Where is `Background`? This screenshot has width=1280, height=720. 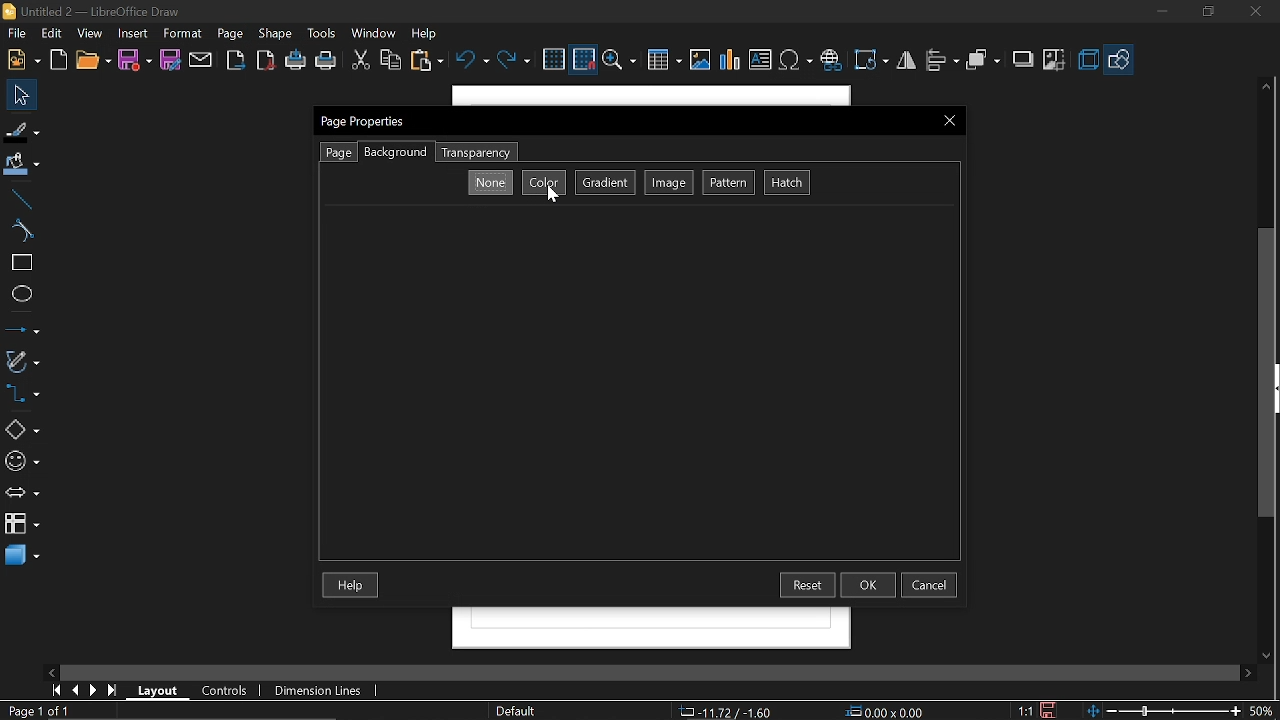
Background is located at coordinates (394, 153).